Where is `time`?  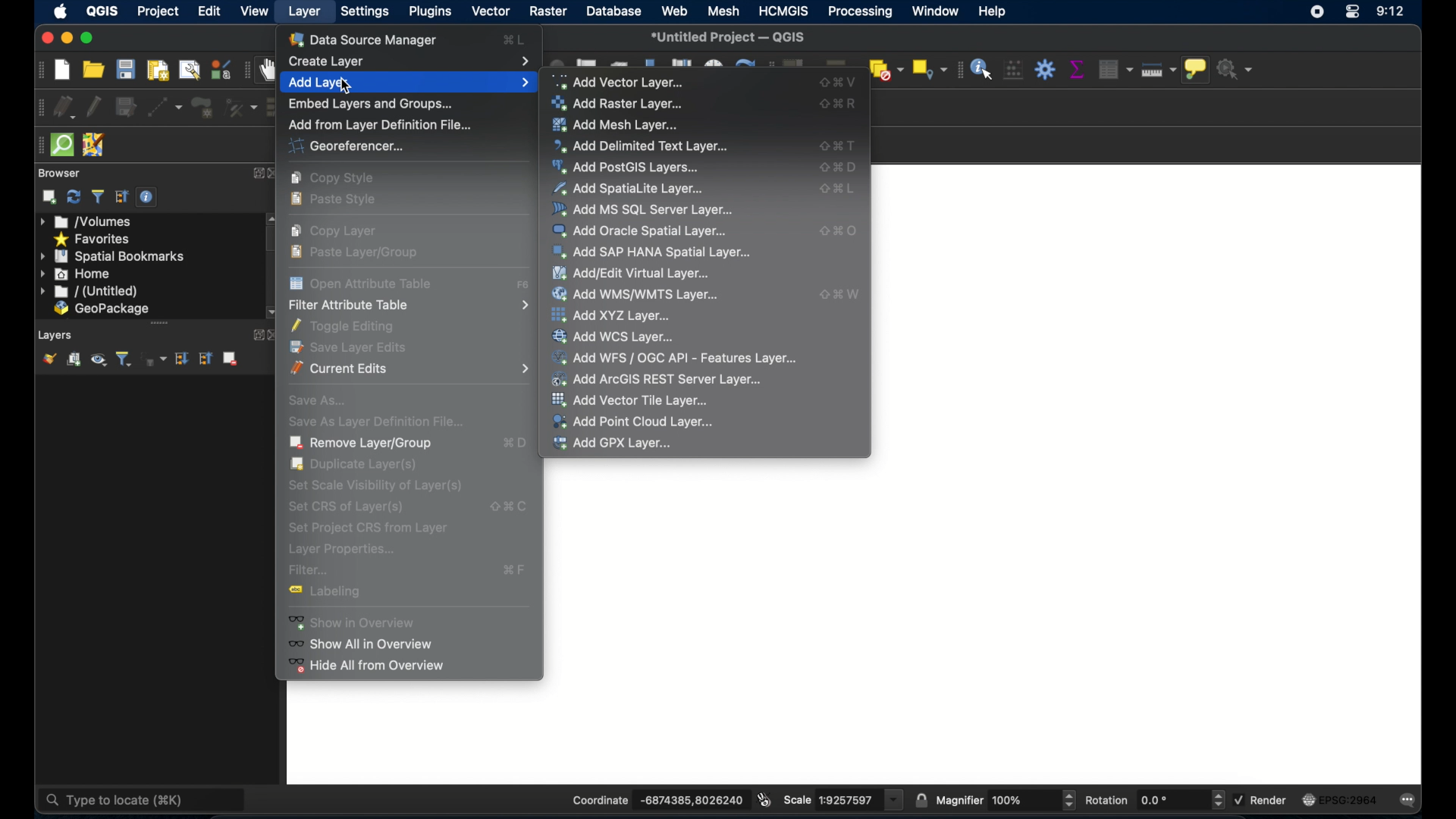 time is located at coordinates (1392, 12).